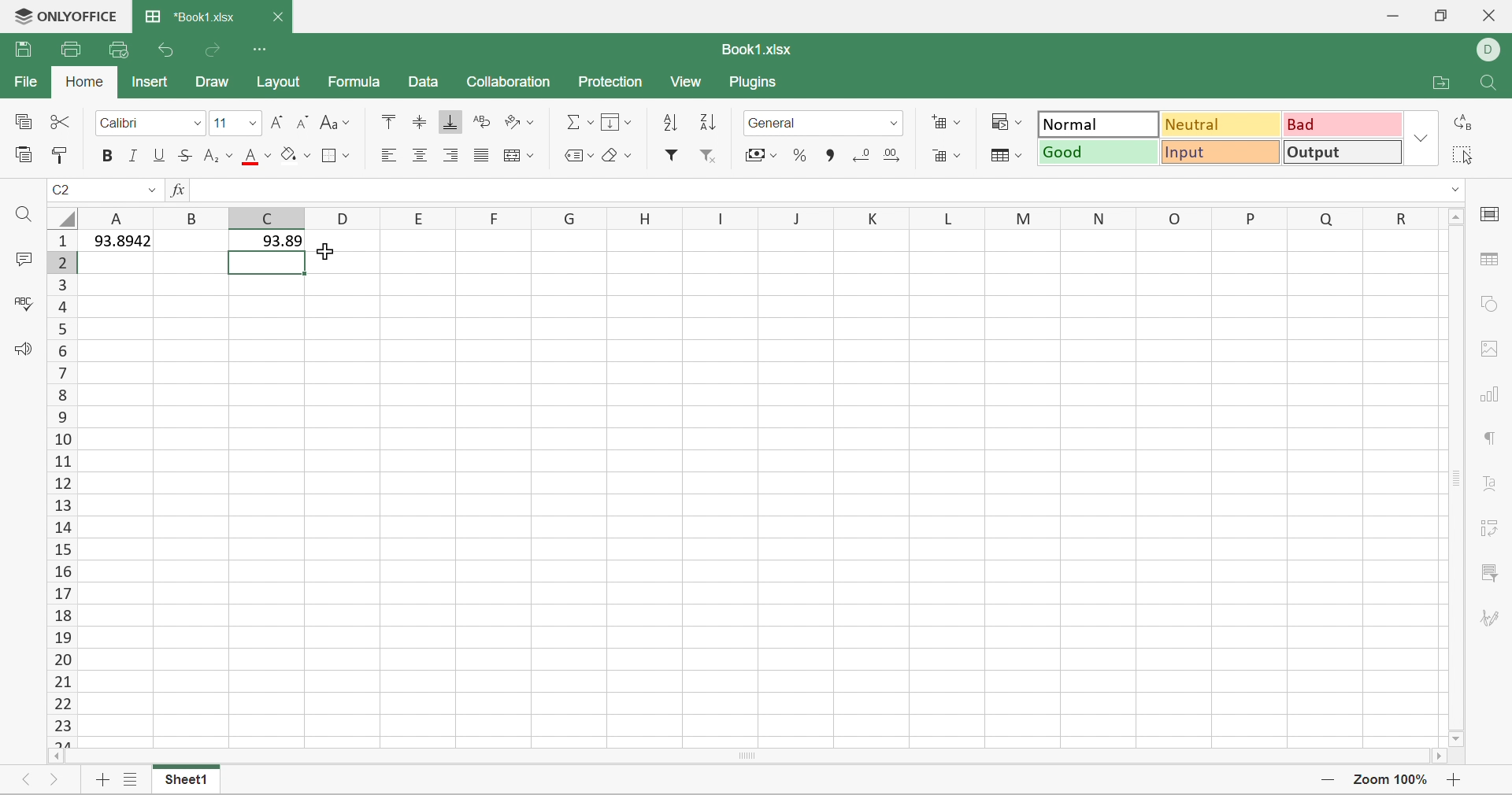 The height and width of the screenshot is (795, 1512). I want to click on Row Numbers, so click(62, 487).